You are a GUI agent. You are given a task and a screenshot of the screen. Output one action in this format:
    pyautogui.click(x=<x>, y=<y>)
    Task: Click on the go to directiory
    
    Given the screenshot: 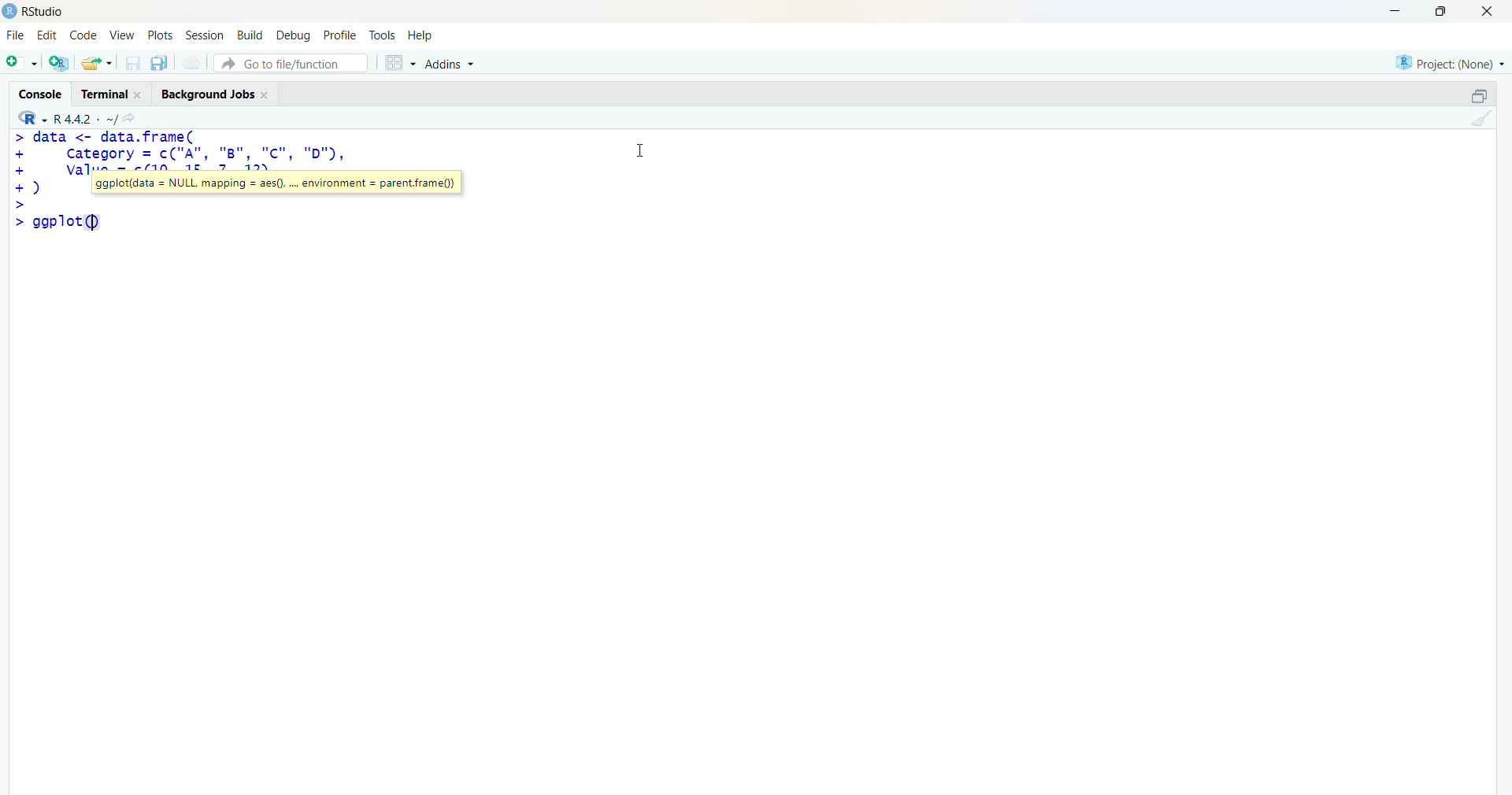 What is the action you would take?
    pyautogui.click(x=133, y=118)
    